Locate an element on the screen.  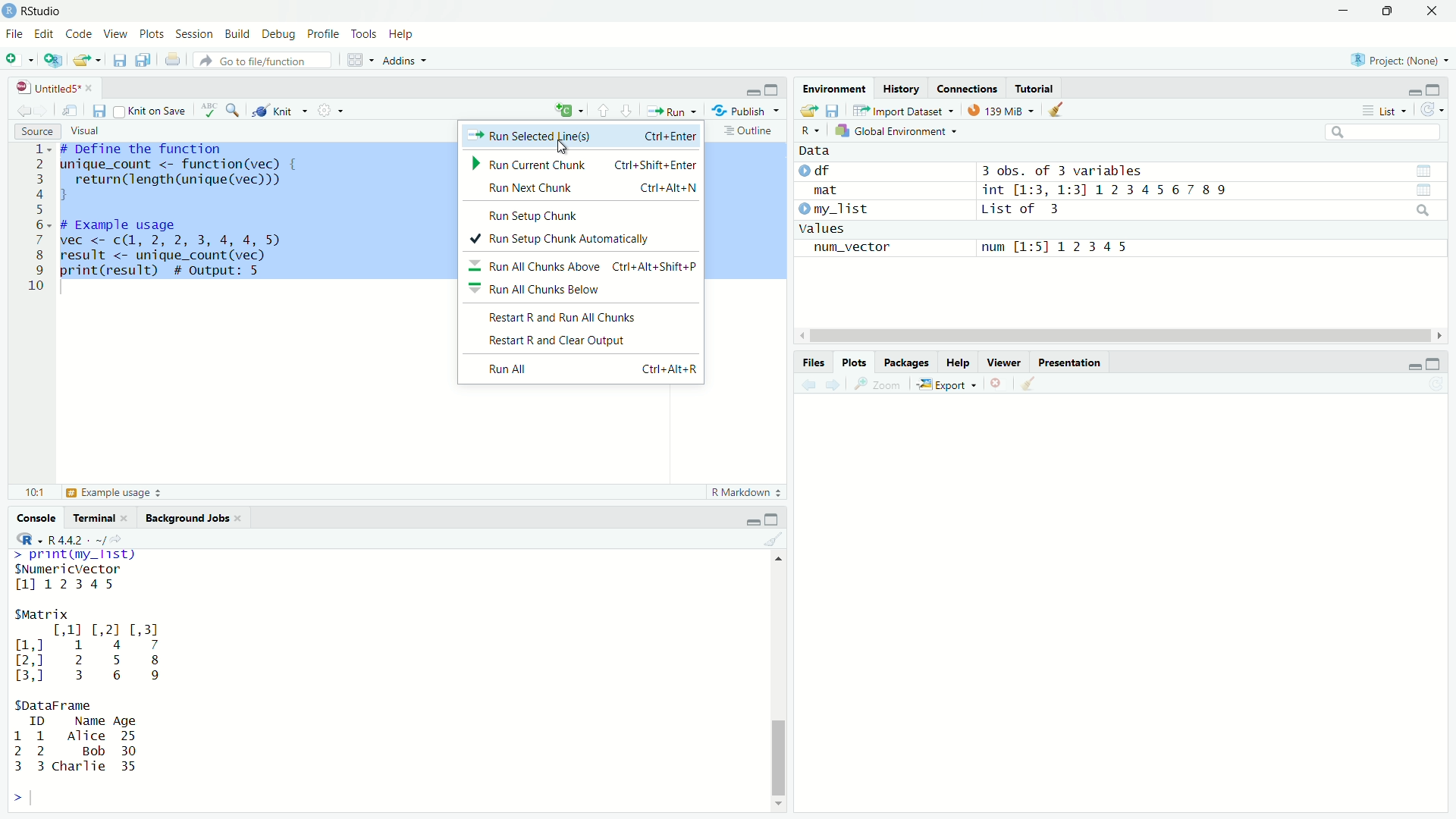
check spelling is located at coordinates (211, 111).